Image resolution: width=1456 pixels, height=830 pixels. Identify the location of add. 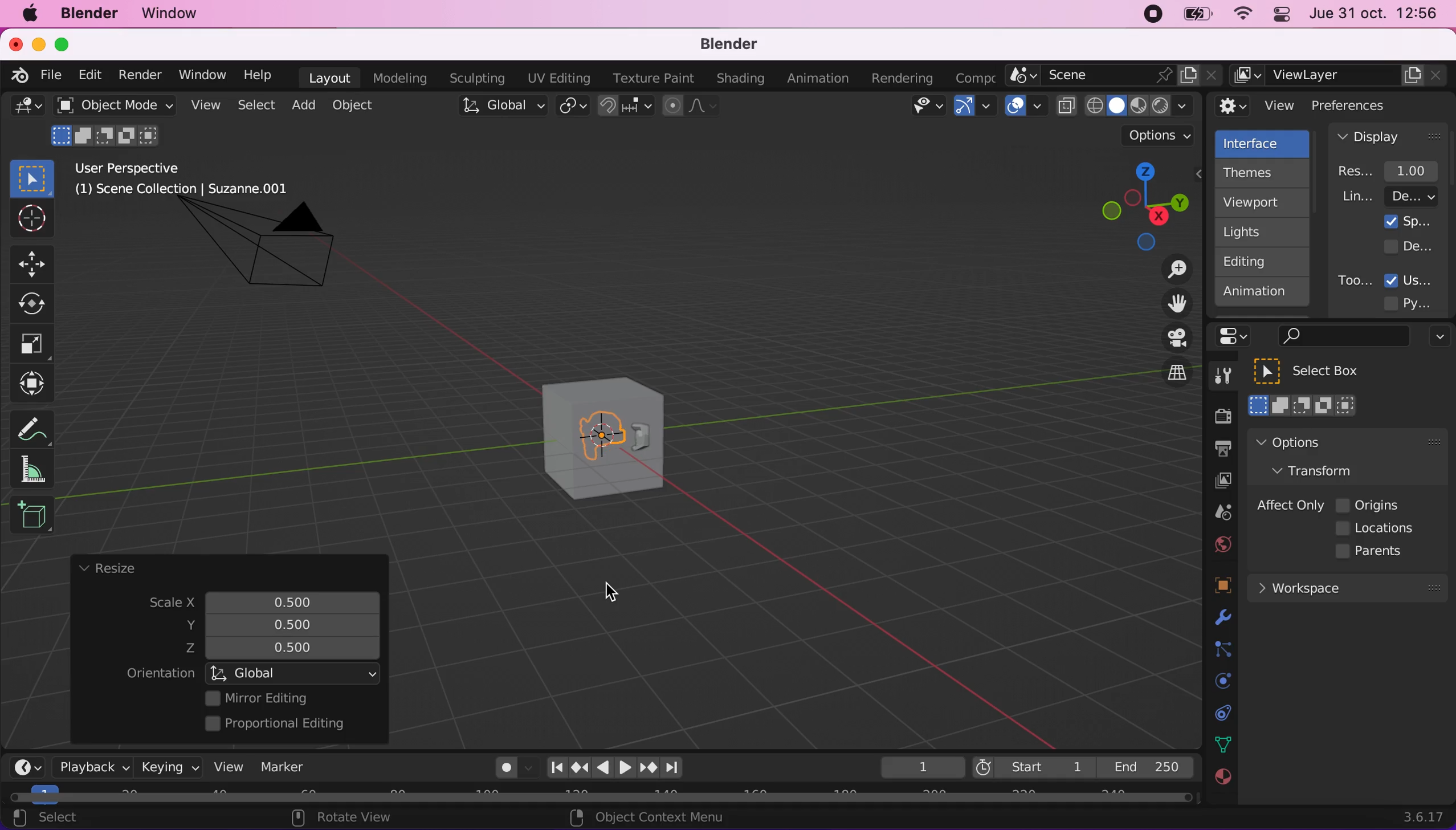
(301, 105).